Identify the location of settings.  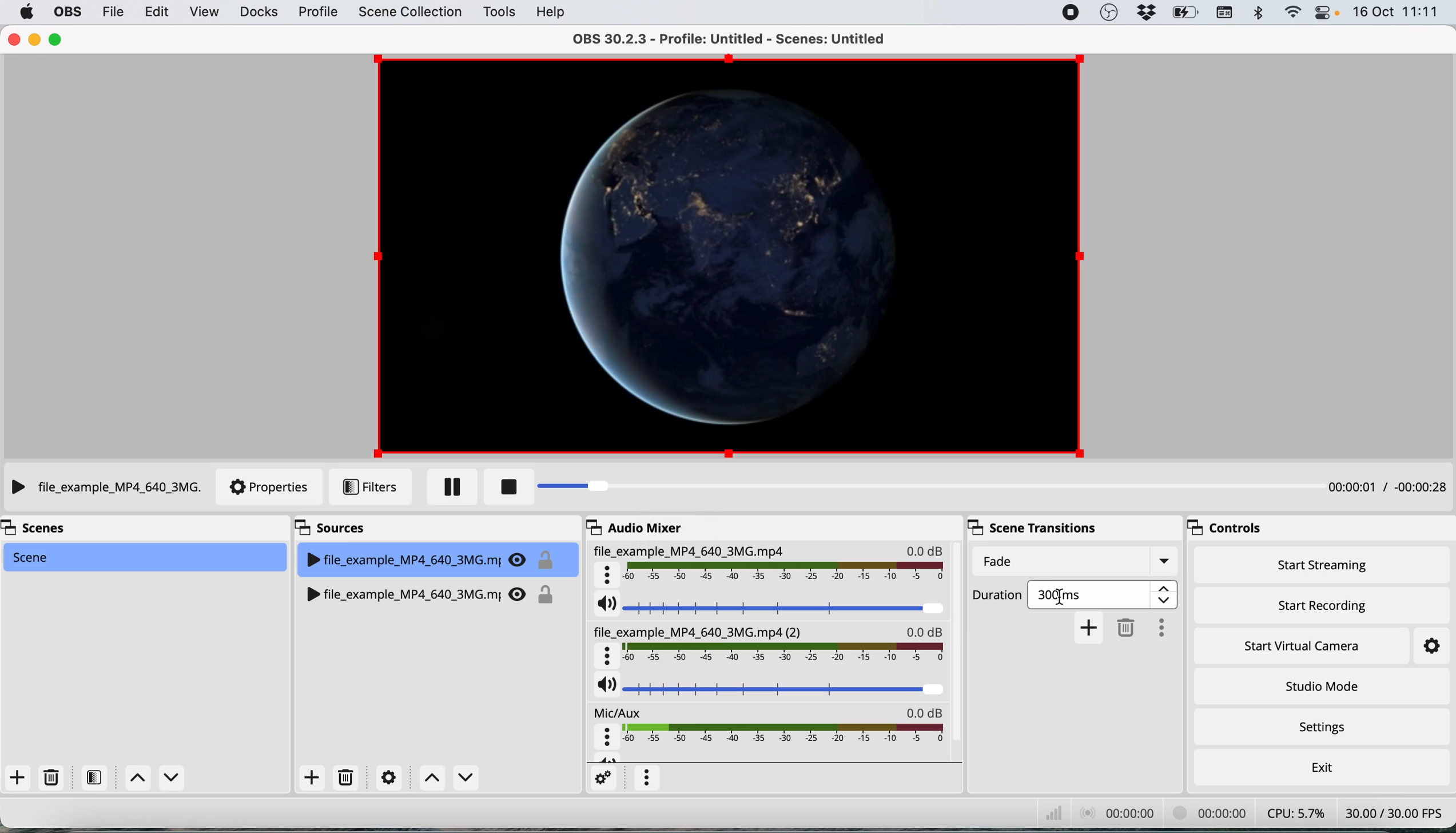
(602, 779).